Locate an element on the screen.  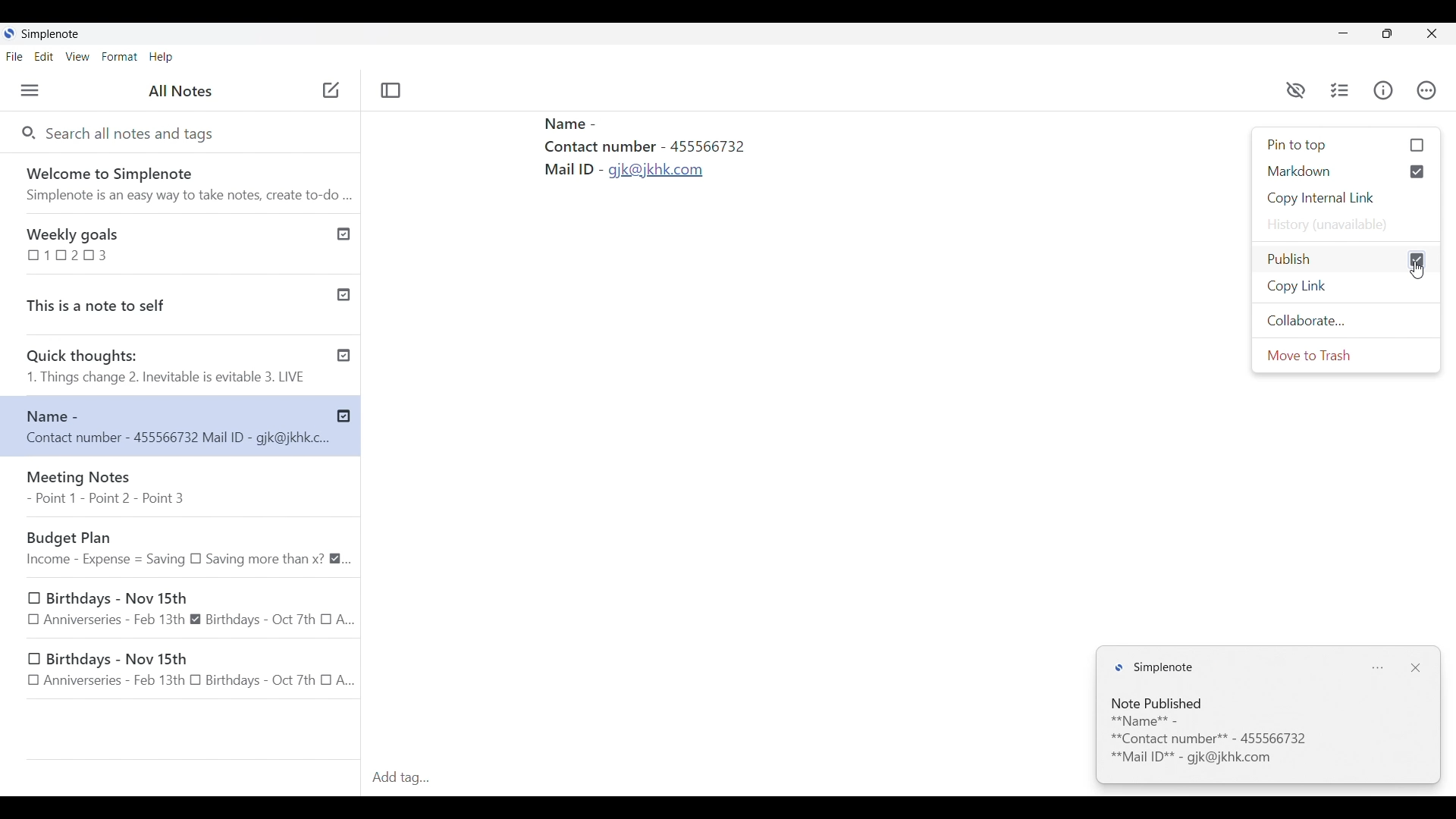
 Birthdays - Nov 15th  is located at coordinates (192, 607).